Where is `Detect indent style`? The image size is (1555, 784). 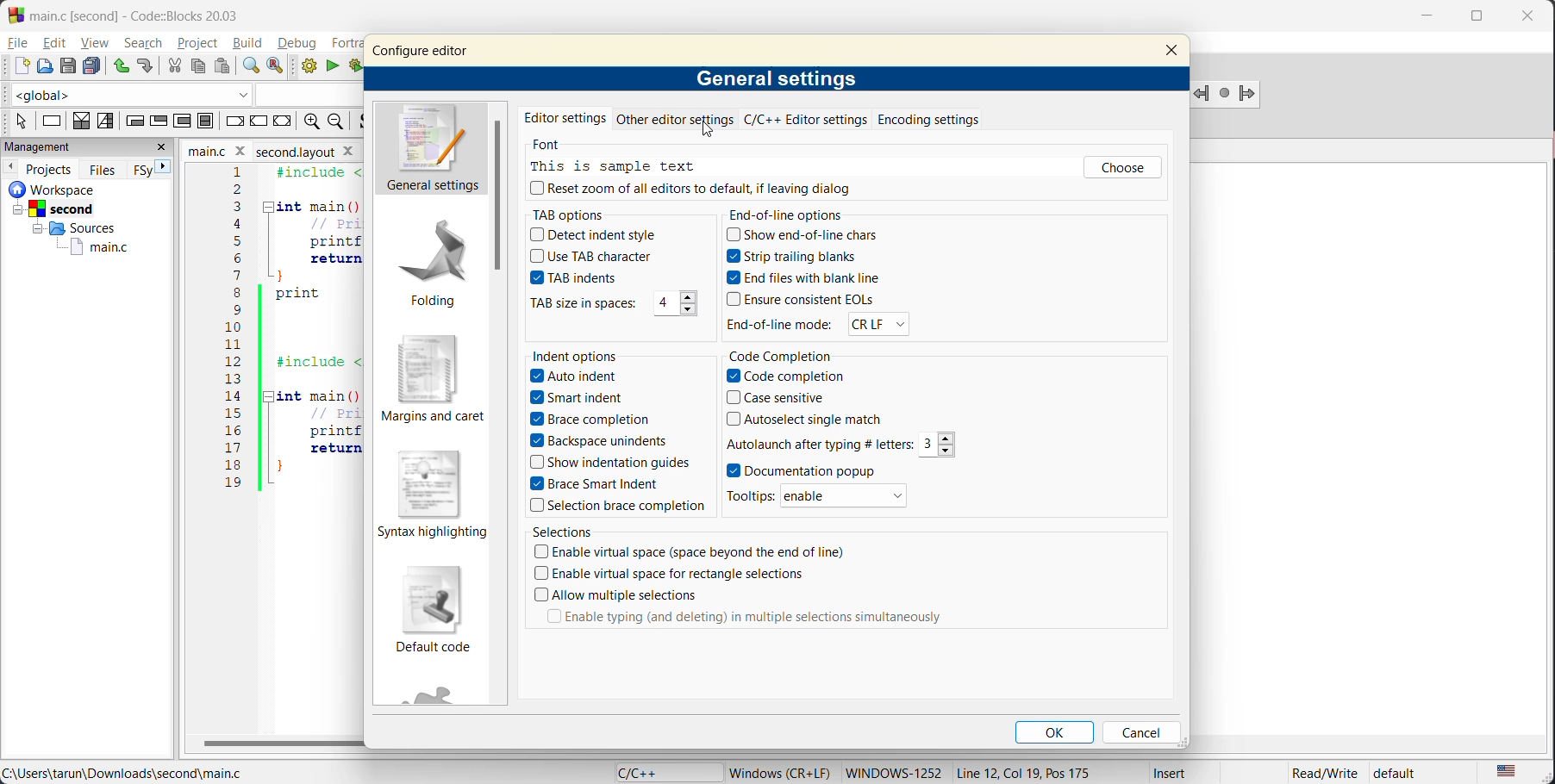 Detect indent style is located at coordinates (591, 235).